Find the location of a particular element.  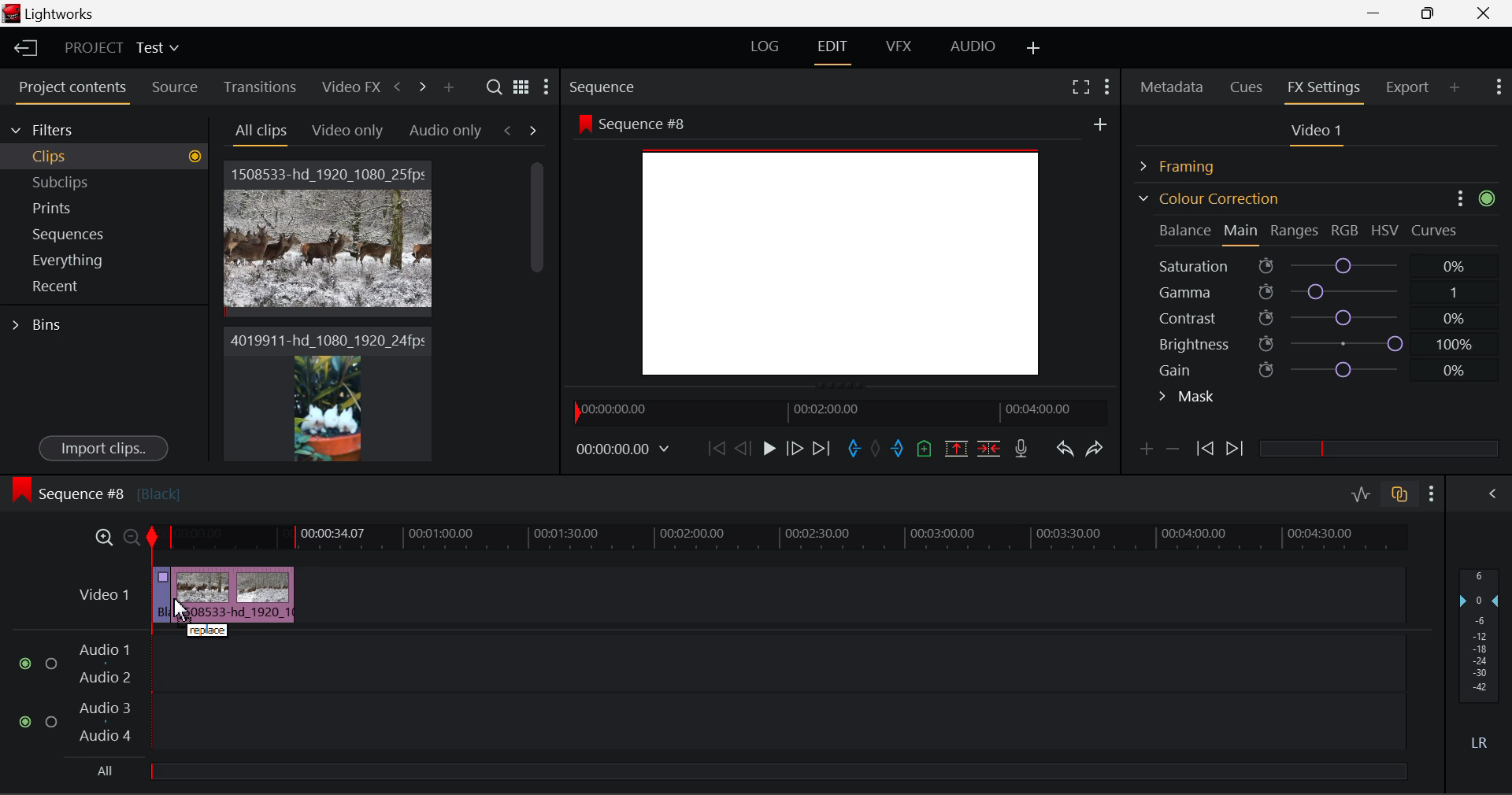

Sequence Preview Section is located at coordinates (606, 88).